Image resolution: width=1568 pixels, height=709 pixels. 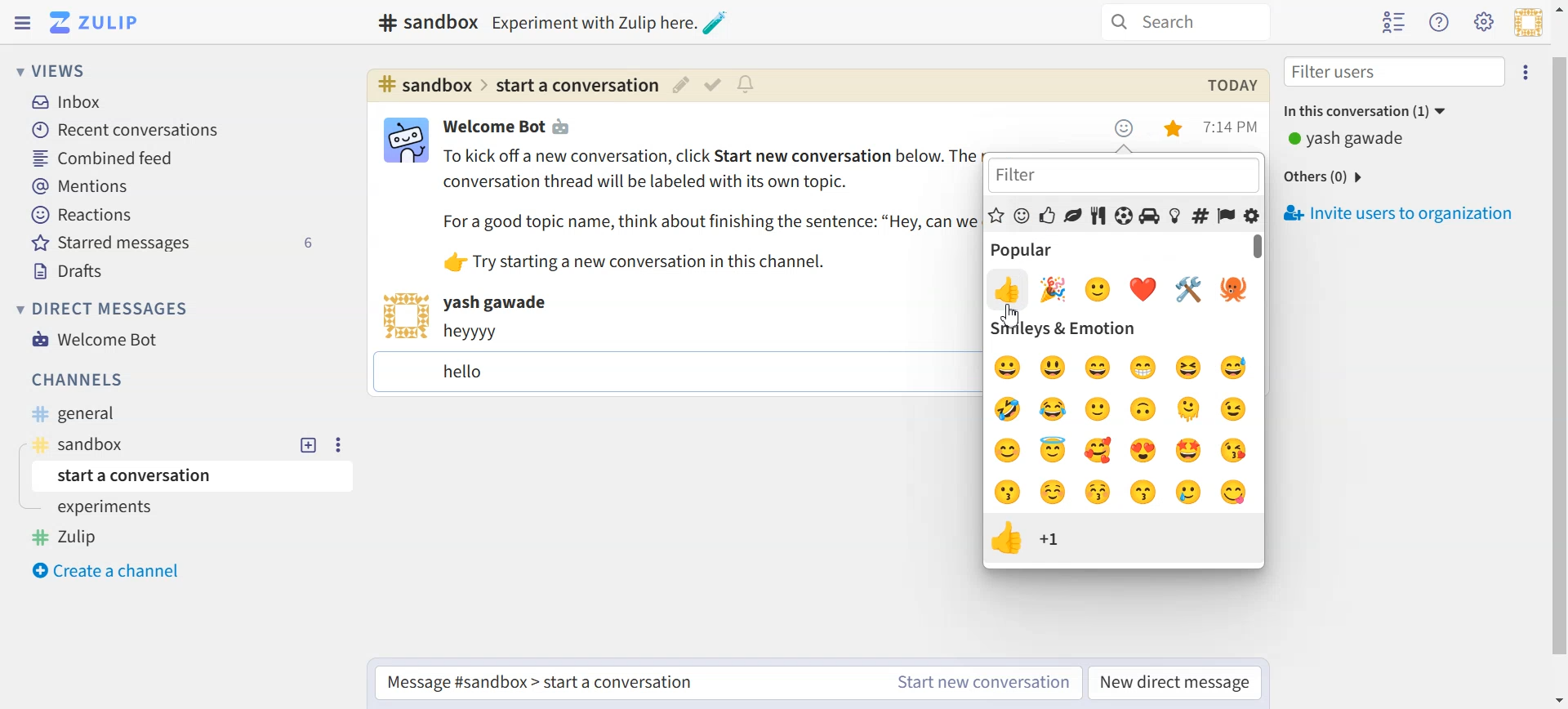 What do you see at coordinates (72, 270) in the screenshot?
I see `Drafts` at bounding box center [72, 270].